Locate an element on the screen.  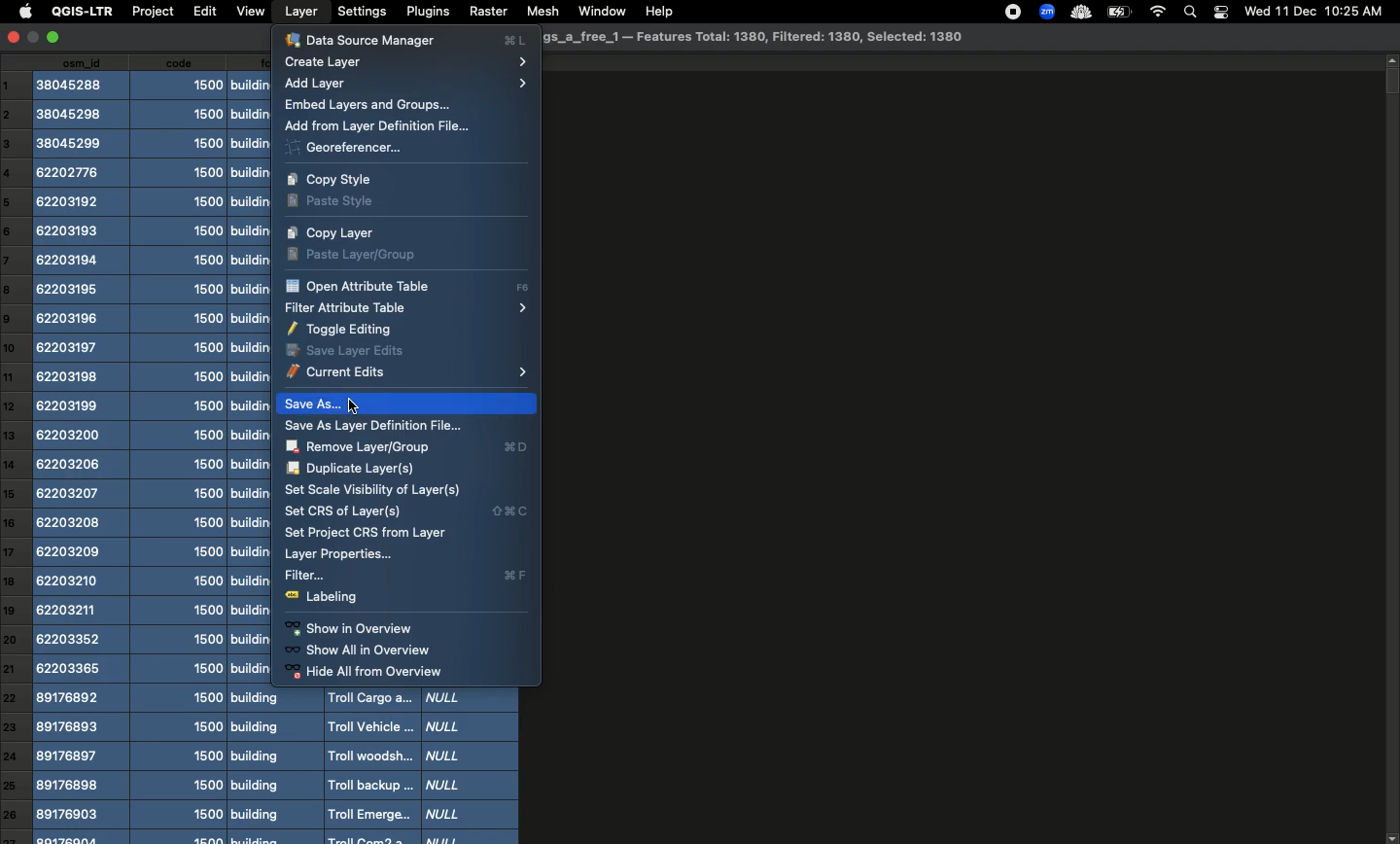
Type is located at coordinates (472, 766).